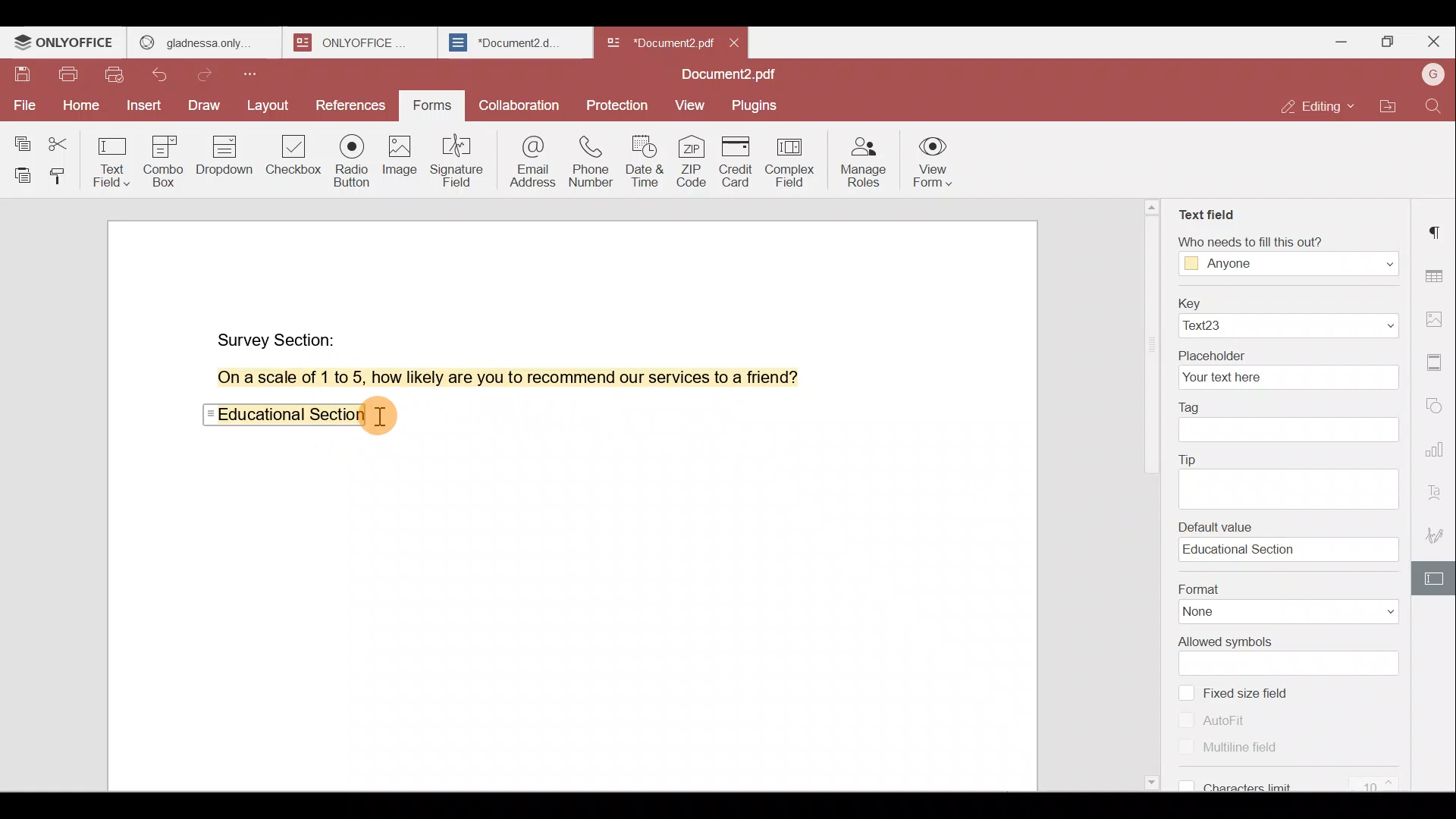 This screenshot has width=1456, height=819. Describe the element at coordinates (1294, 541) in the screenshot. I see `Default value` at that location.